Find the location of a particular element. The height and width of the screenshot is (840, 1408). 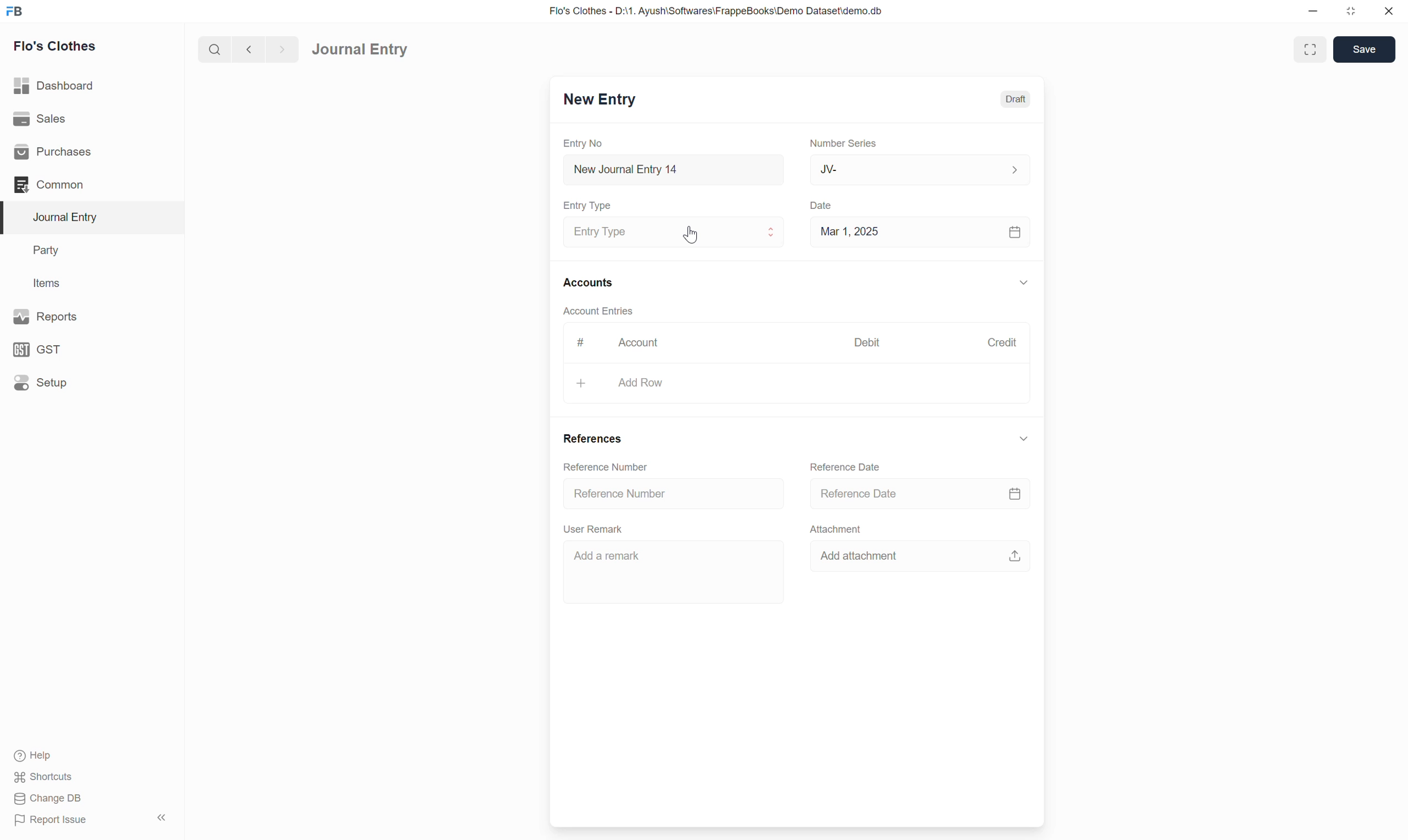

Reference Date is located at coordinates (847, 466).